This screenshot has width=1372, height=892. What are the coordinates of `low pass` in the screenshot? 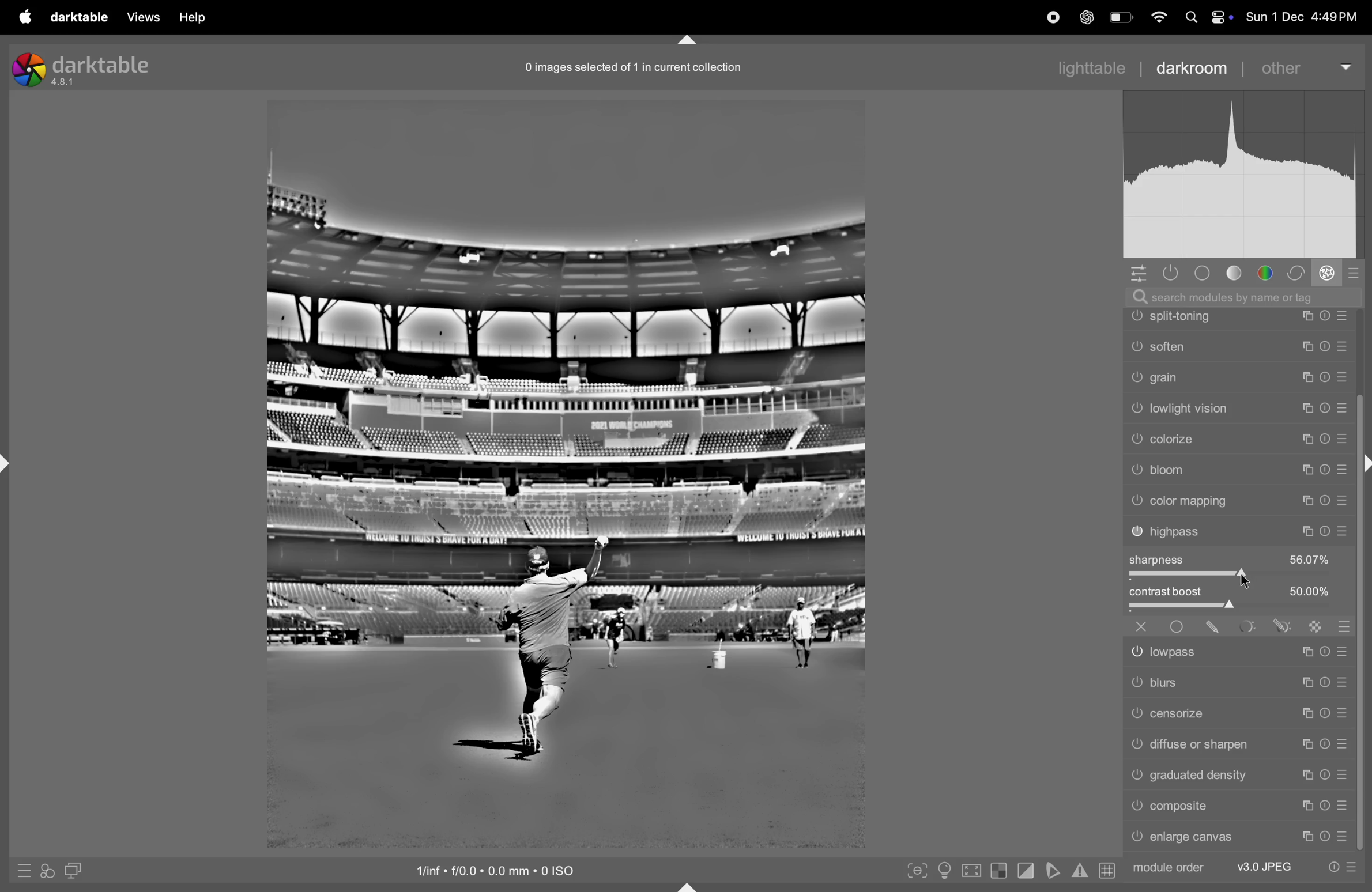 It's located at (1238, 649).